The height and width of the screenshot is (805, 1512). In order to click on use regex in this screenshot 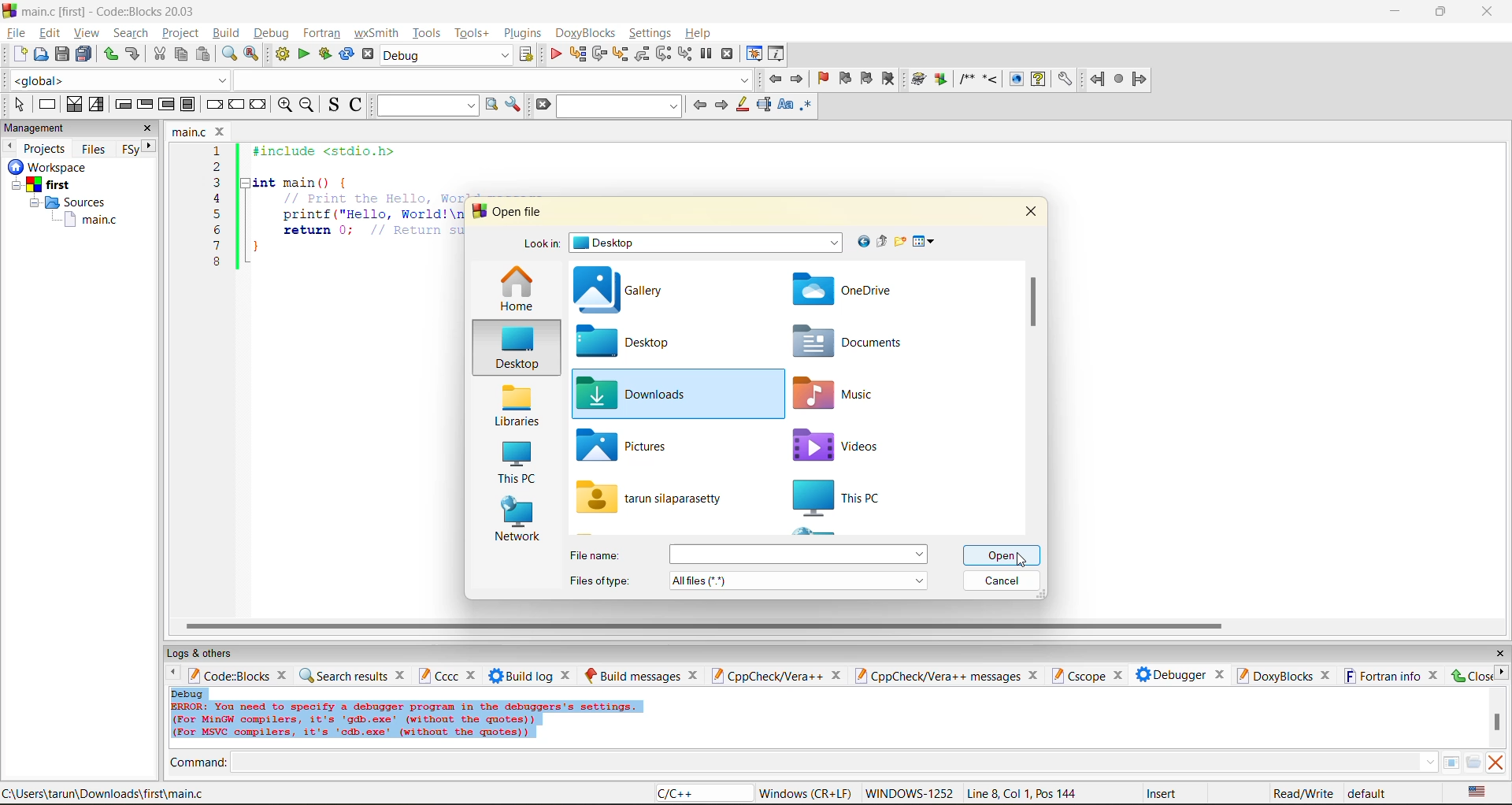, I will do `click(806, 108)`.